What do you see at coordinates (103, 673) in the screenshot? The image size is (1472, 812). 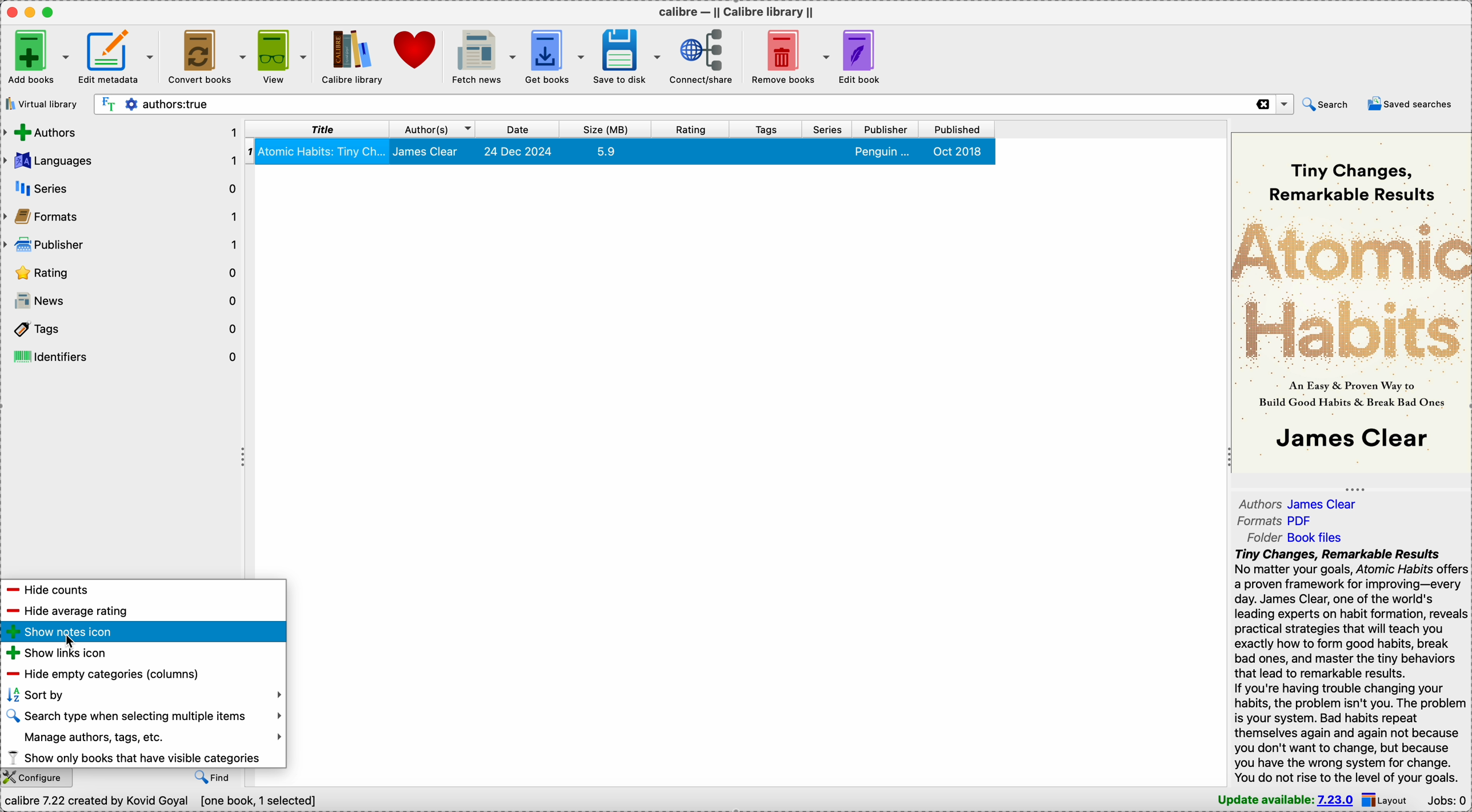 I see `hide empty categories (columns)` at bounding box center [103, 673].